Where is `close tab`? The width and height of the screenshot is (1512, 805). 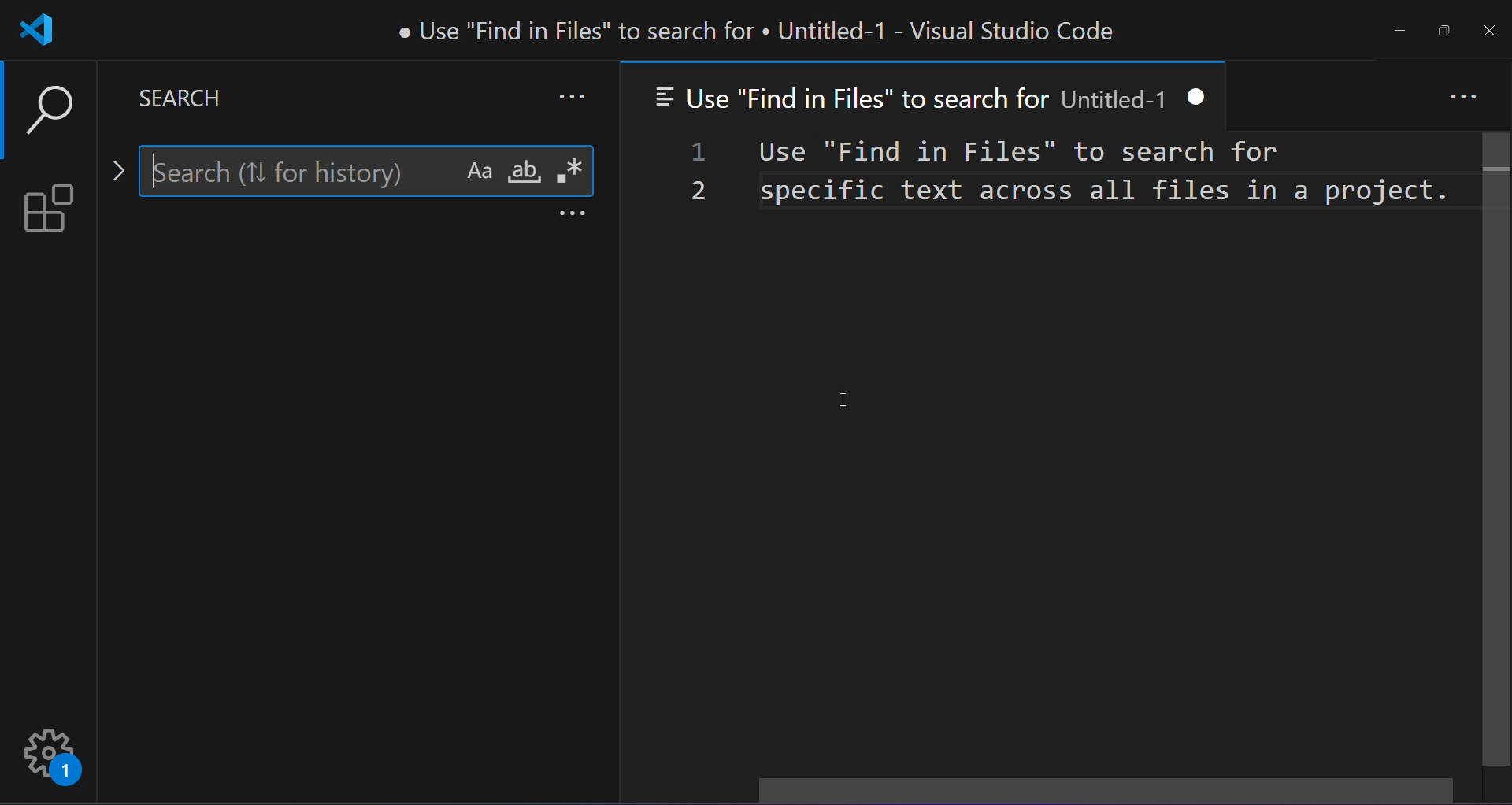
close tab is located at coordinates (1201, 97).